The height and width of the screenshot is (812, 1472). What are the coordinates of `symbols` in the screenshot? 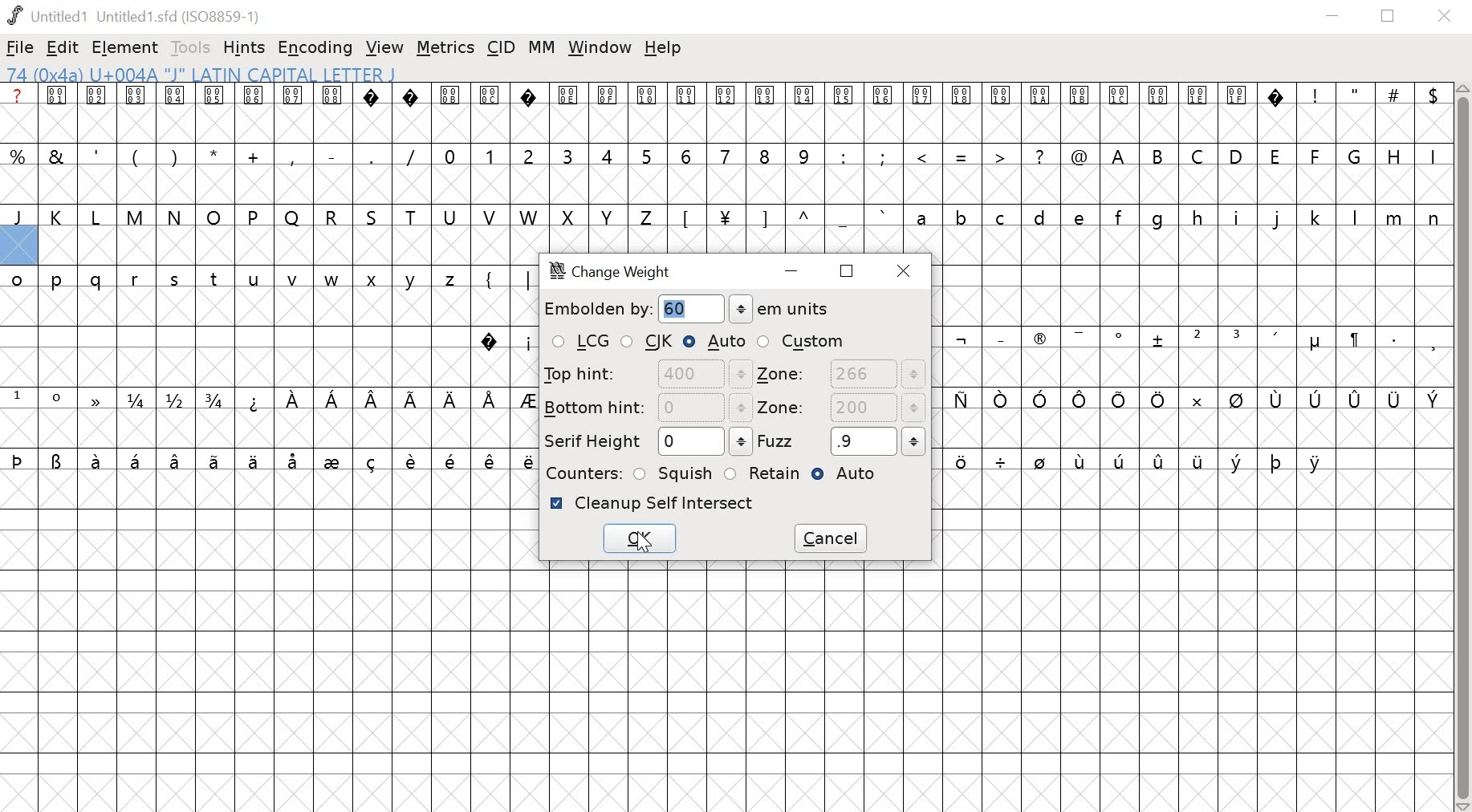 It's located at (1190, 400).